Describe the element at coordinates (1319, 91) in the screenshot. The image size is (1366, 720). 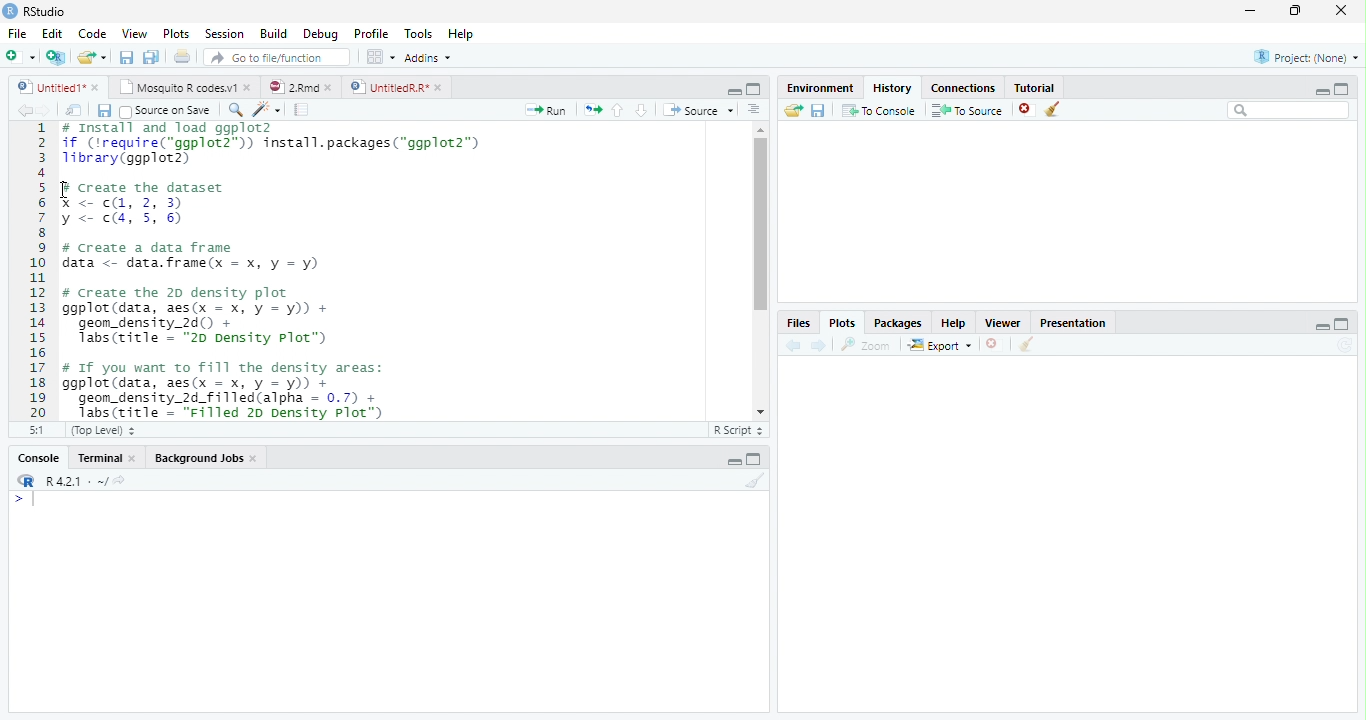
I see `minimize` at that location.